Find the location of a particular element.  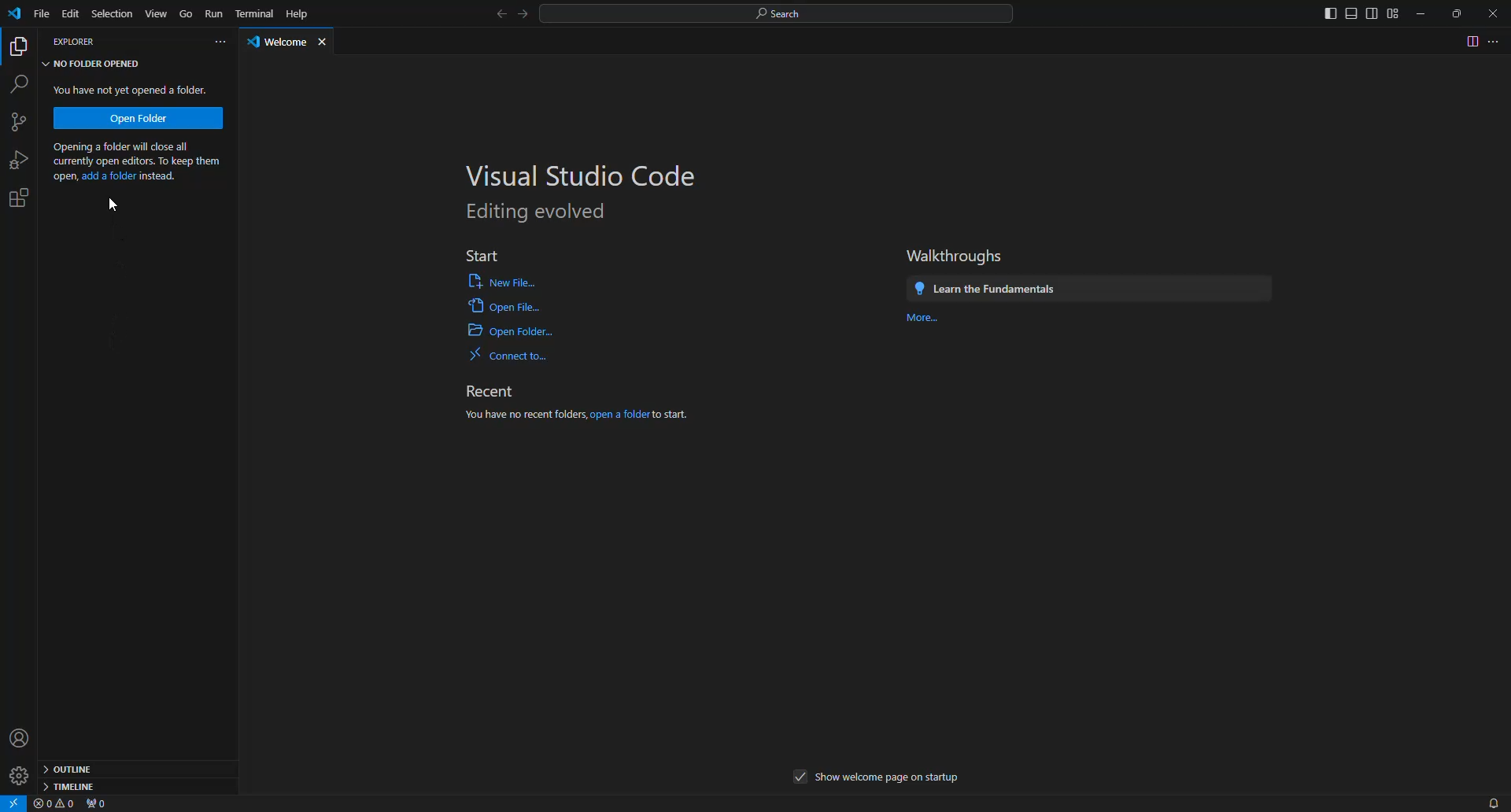

no folder opened is located at coordinates (94, 64).